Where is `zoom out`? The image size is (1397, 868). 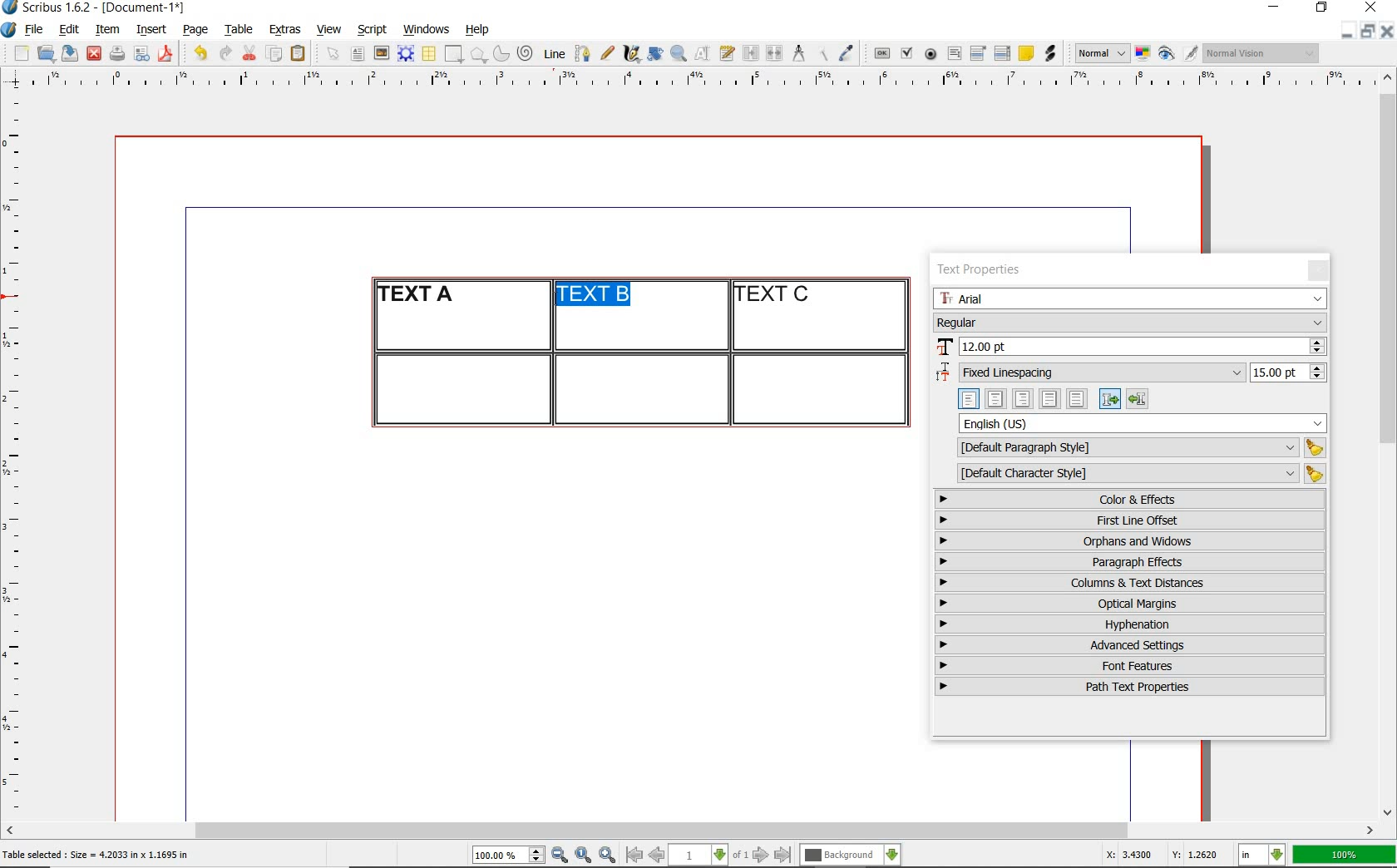
zoom out is located at coordinates (560, 856).